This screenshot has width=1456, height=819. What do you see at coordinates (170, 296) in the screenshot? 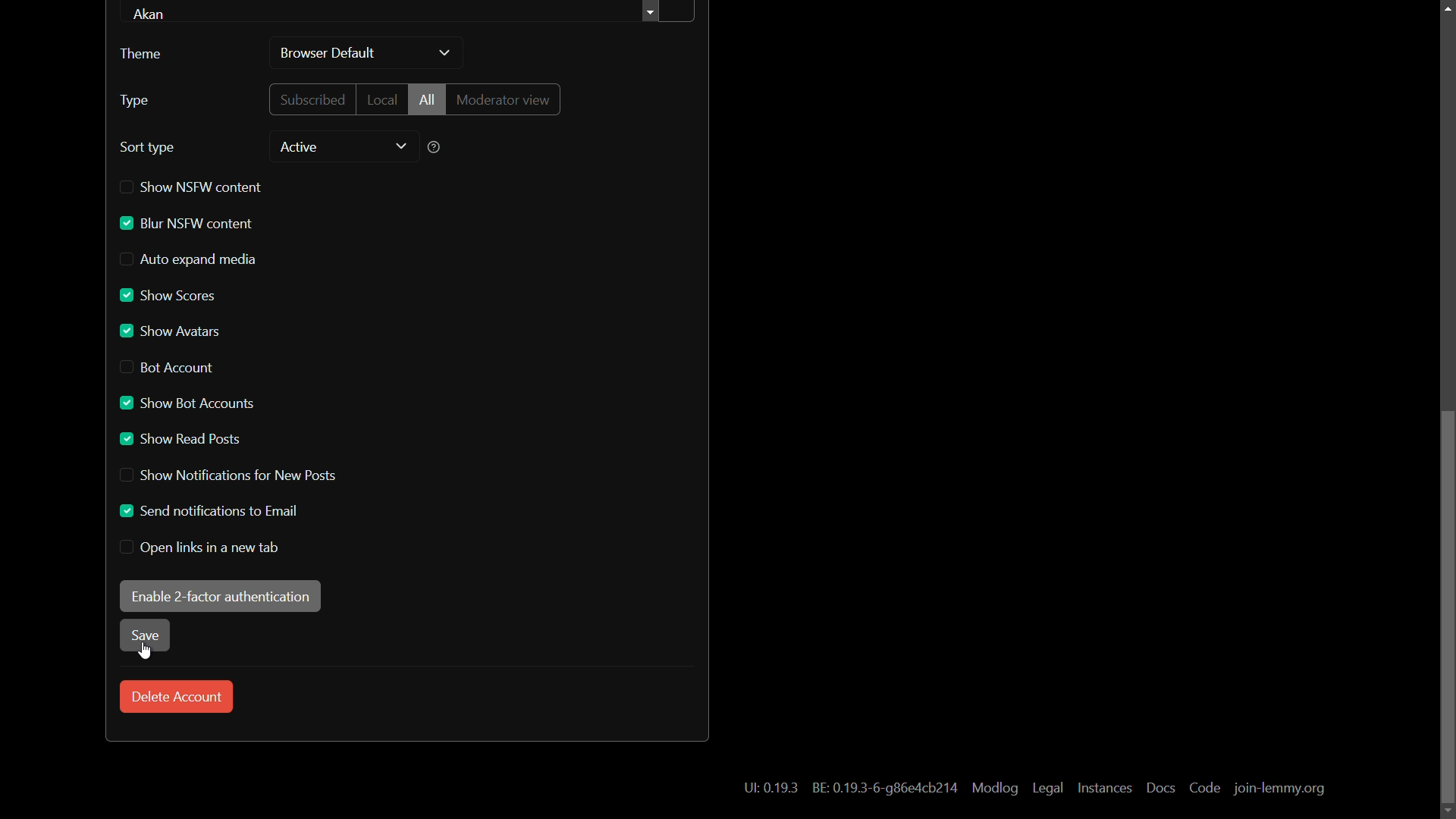
I see `show scores` at bounding box center [170, 296].